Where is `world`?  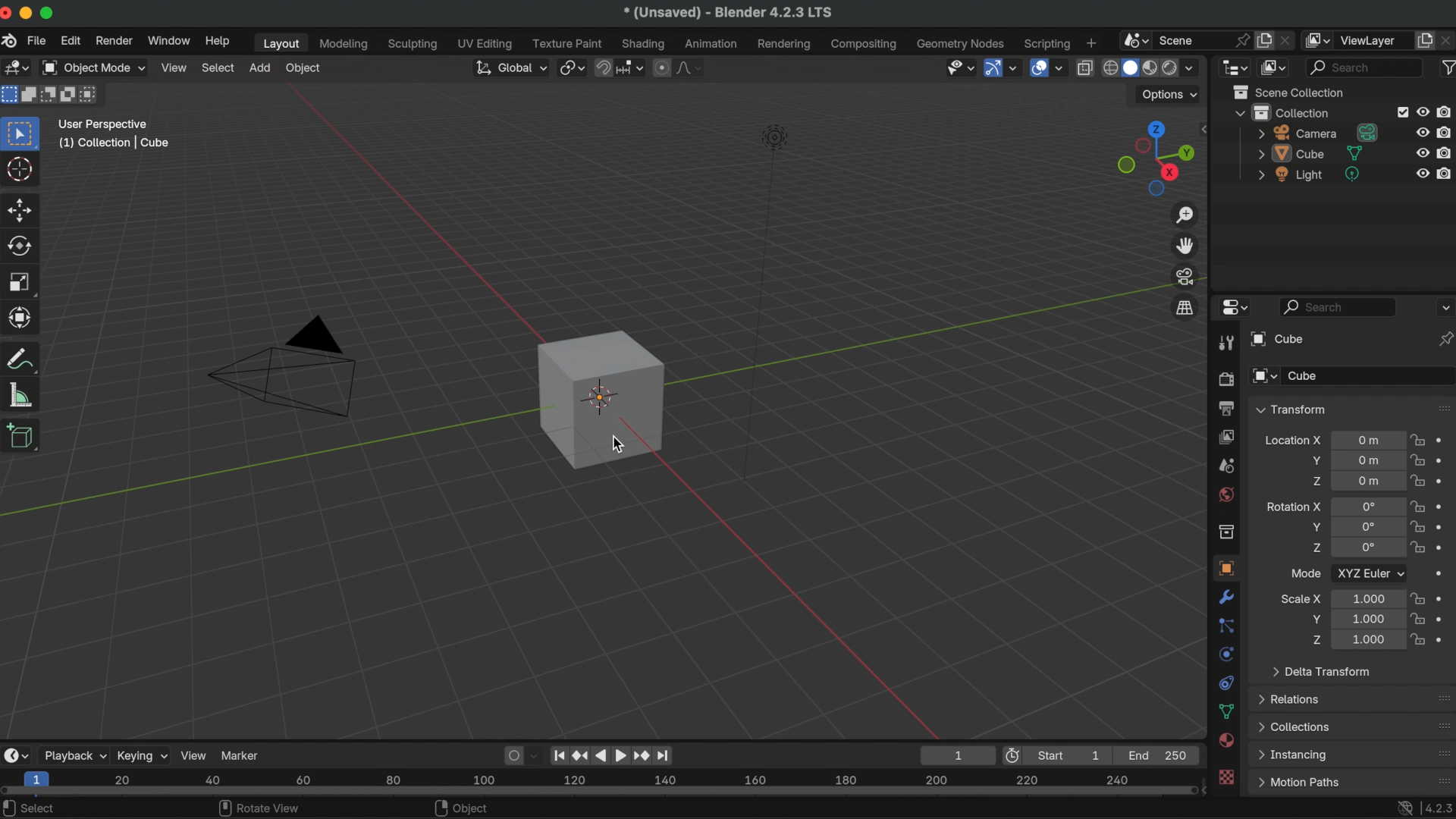
world is located at coordinates (1225, 494).